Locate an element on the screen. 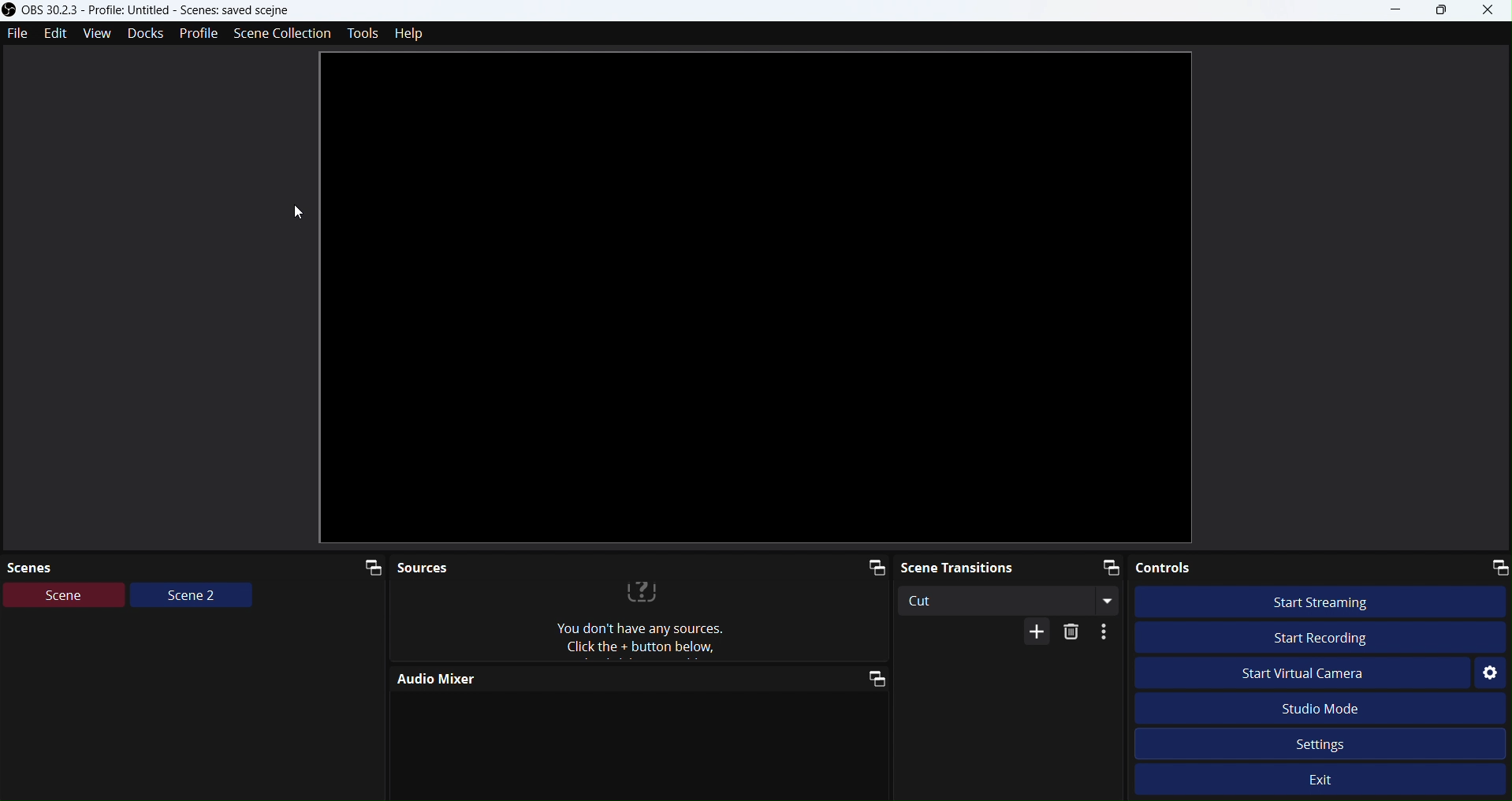  More is located at coordinates (1108, 631).